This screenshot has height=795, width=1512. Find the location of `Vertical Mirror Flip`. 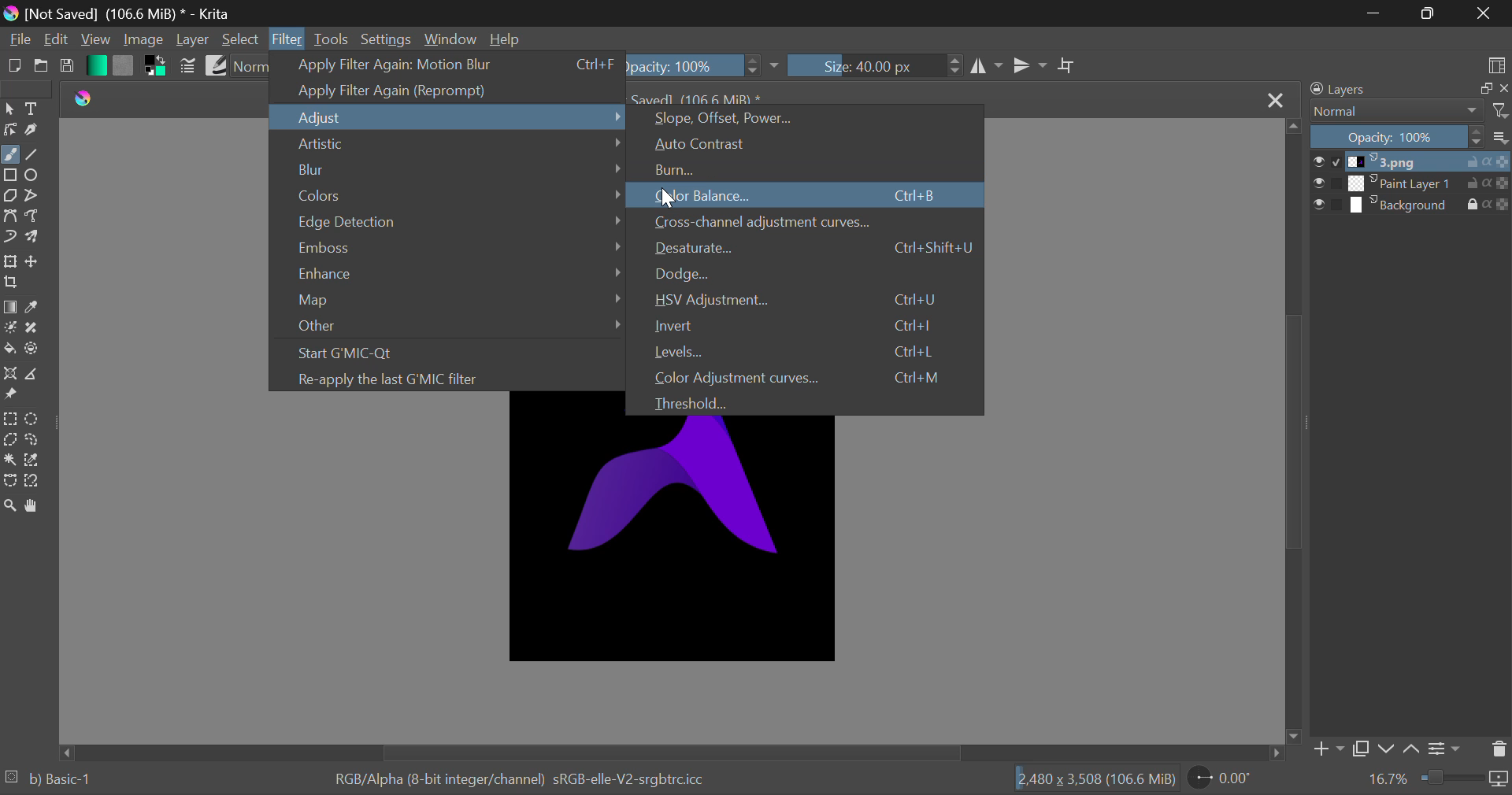

Vertical Mirror Flip is located at coordinates (987, 65).